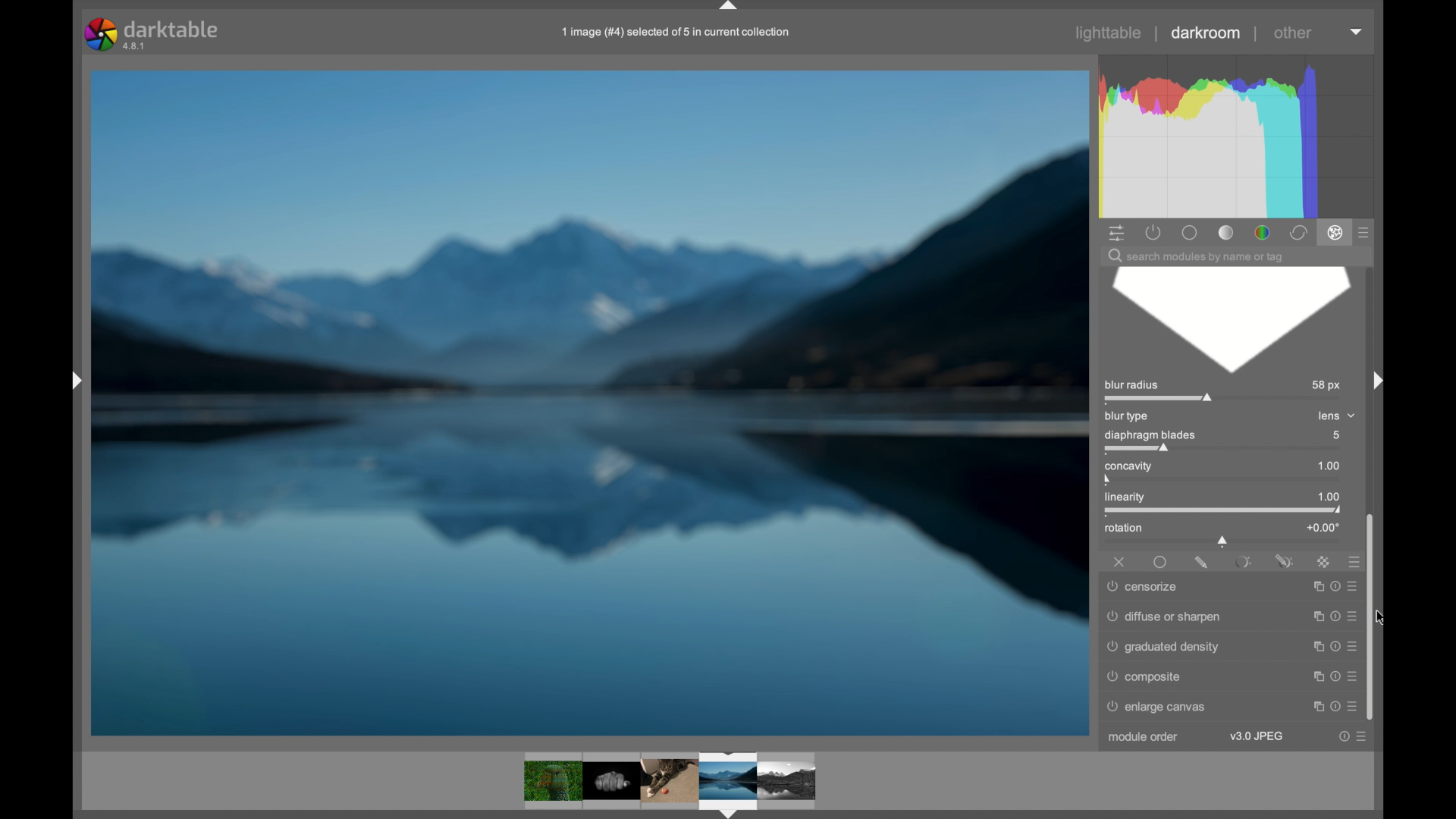  Describe the element at coordinates (1298, 233) in the screenshot. I see `correct` at that location.